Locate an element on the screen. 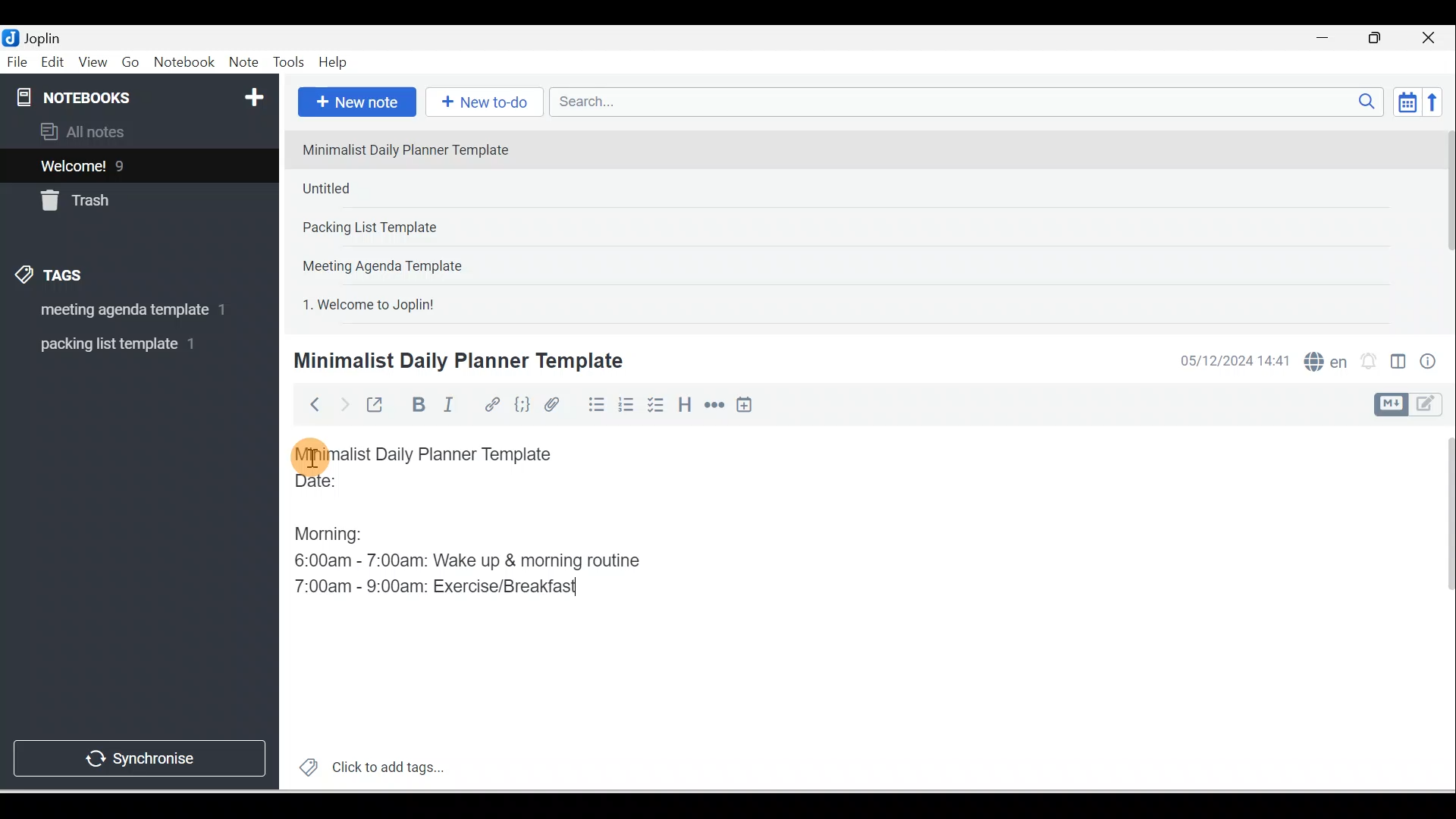 This screenshot has height=819, width=1456. Attach file is located at coordinates (556, 404).